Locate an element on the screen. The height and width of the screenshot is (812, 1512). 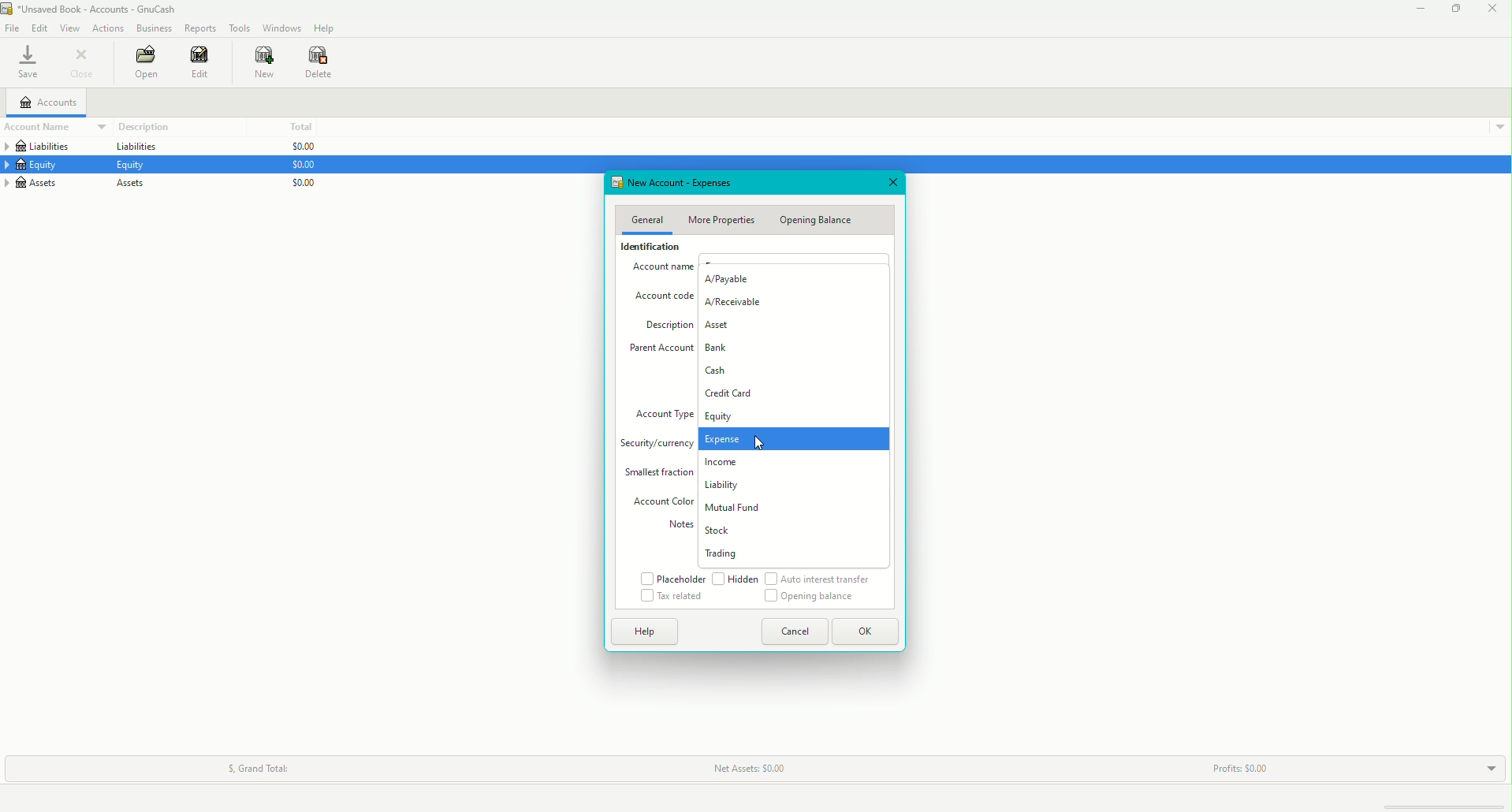
View is located at coordinates (69, 27).